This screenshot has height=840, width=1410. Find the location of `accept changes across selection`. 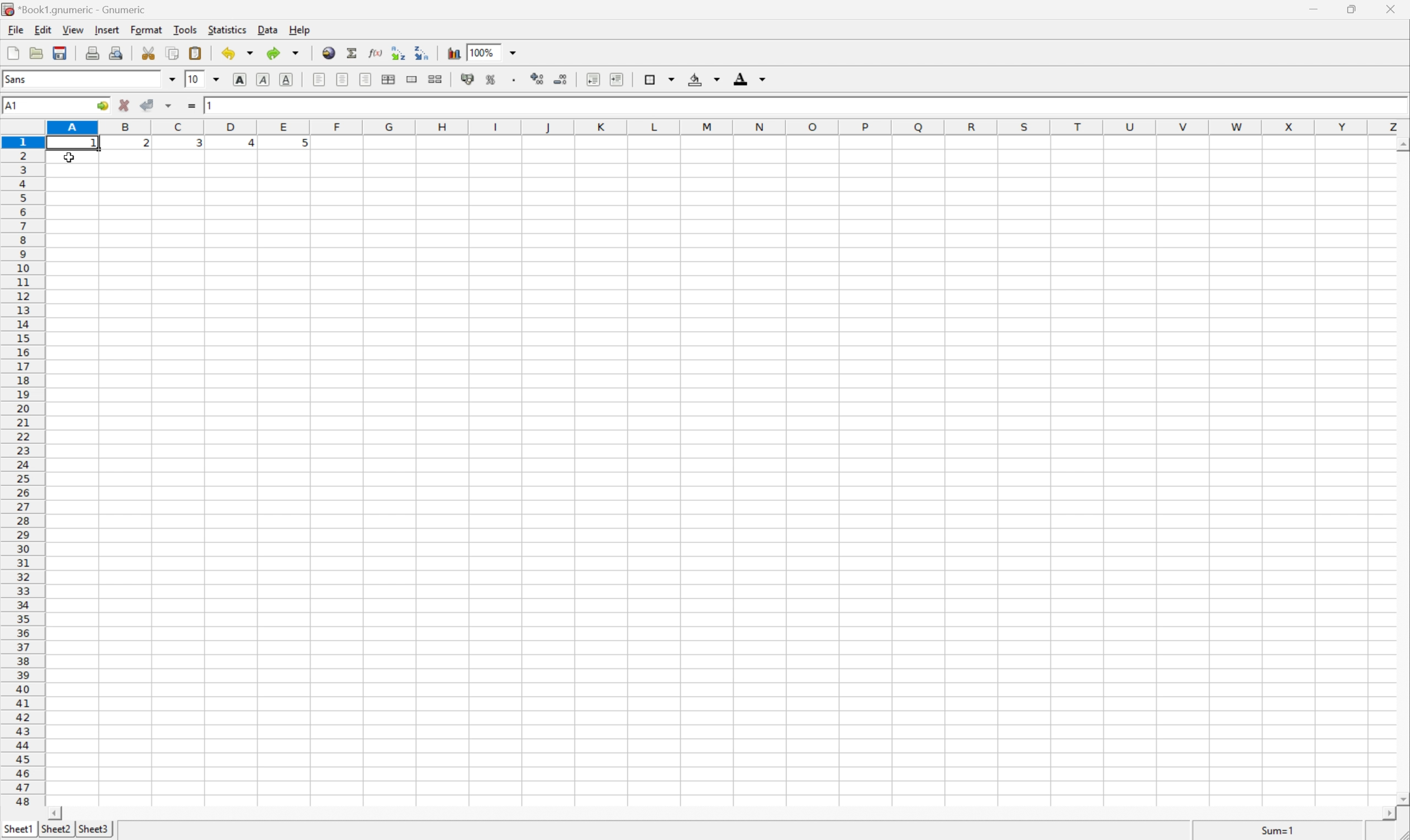

accept changes across selection is located at coordinates (168, 106).